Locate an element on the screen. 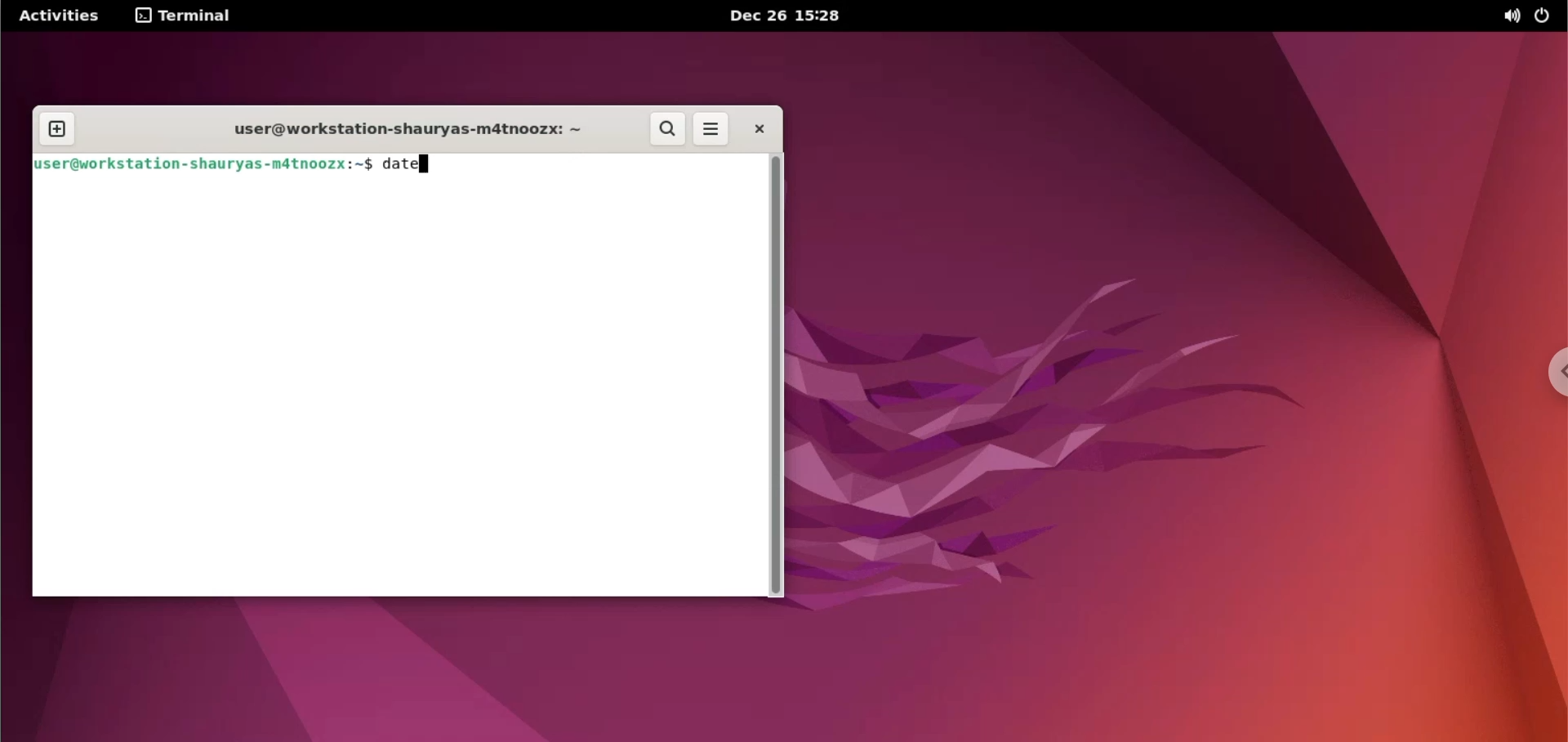 The width and height of the screenshot is (1568, 742). scrollbar is located at coordinates (773, 375).